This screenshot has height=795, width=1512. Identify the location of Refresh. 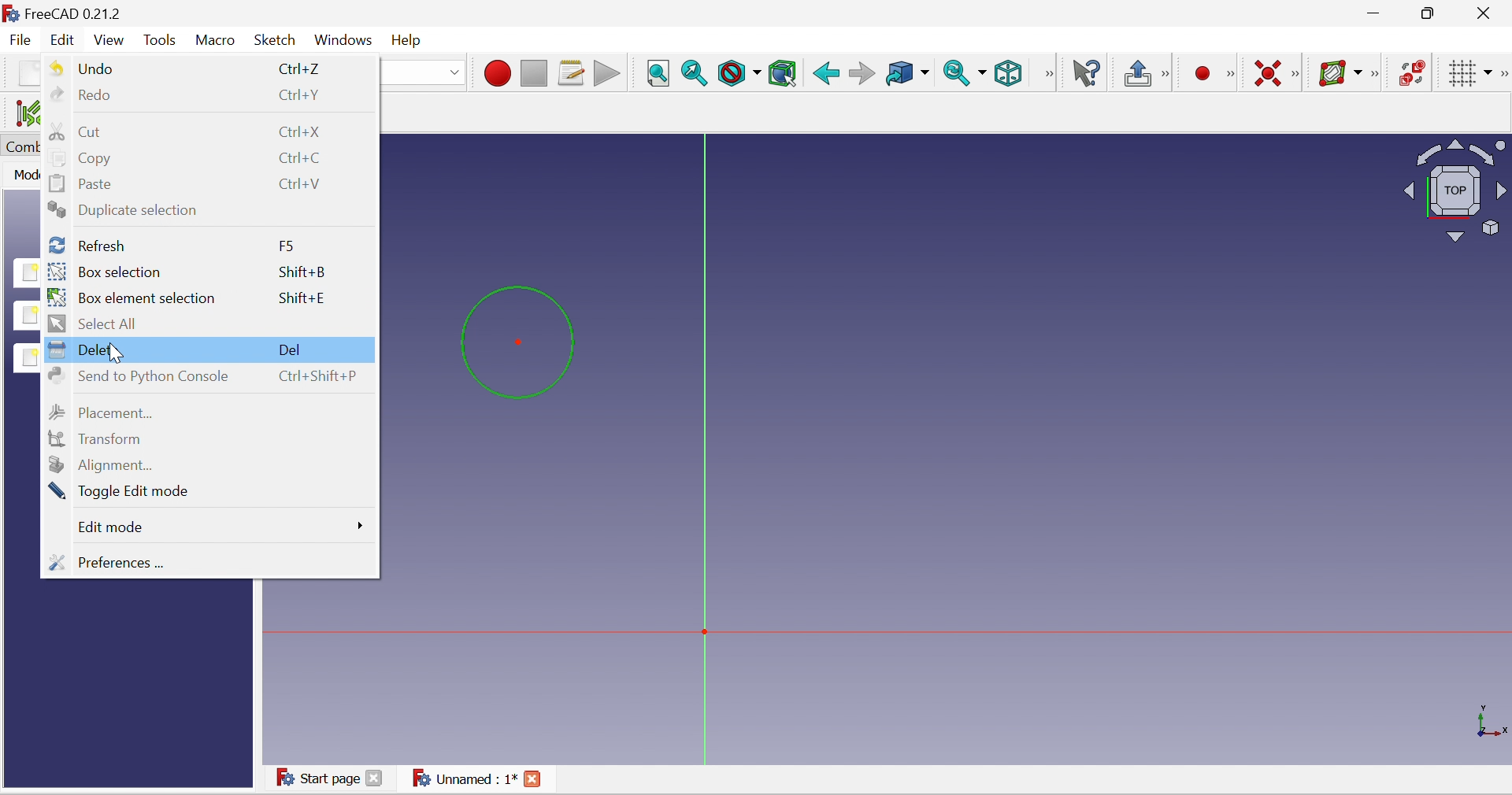
(85, 245).